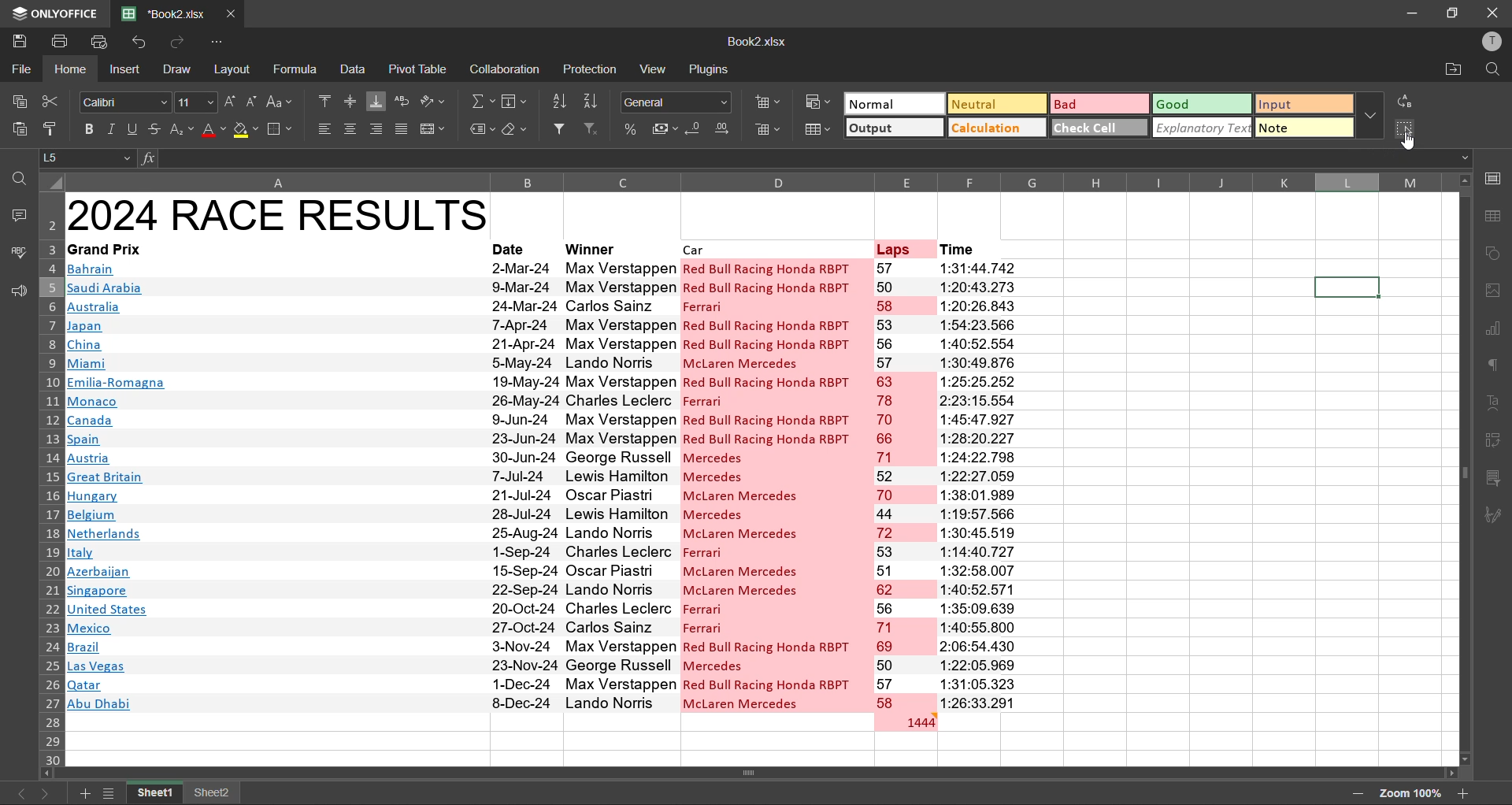 The height and width of the screenshot is (805, 1512). What do you see at coordinates (91, 158) in the screenshot?
I see `cell address` at bounding box center [91, 158].